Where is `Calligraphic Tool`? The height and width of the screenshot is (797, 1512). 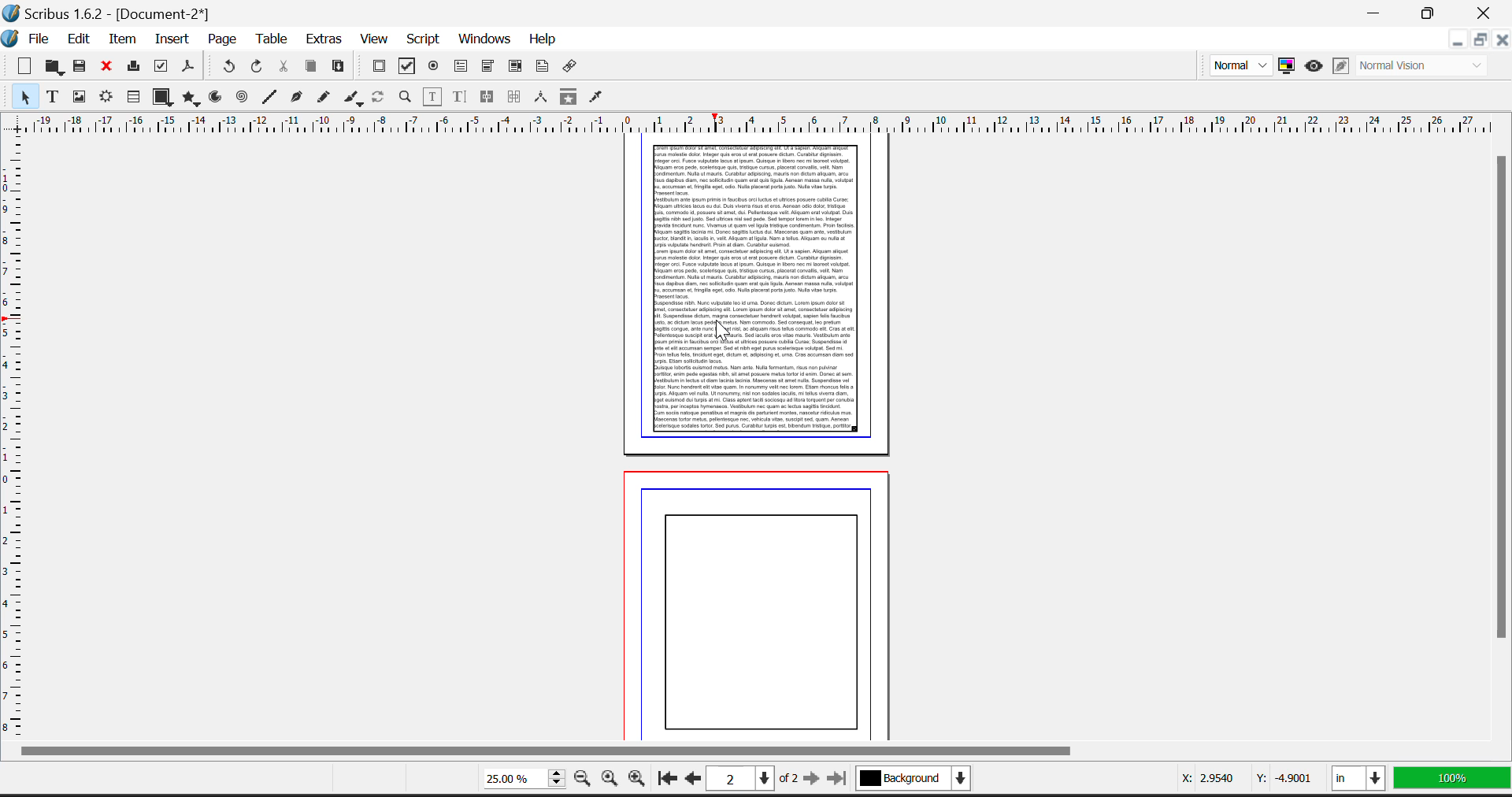 Calligraphic Tool is located at coordinates (353, 98).